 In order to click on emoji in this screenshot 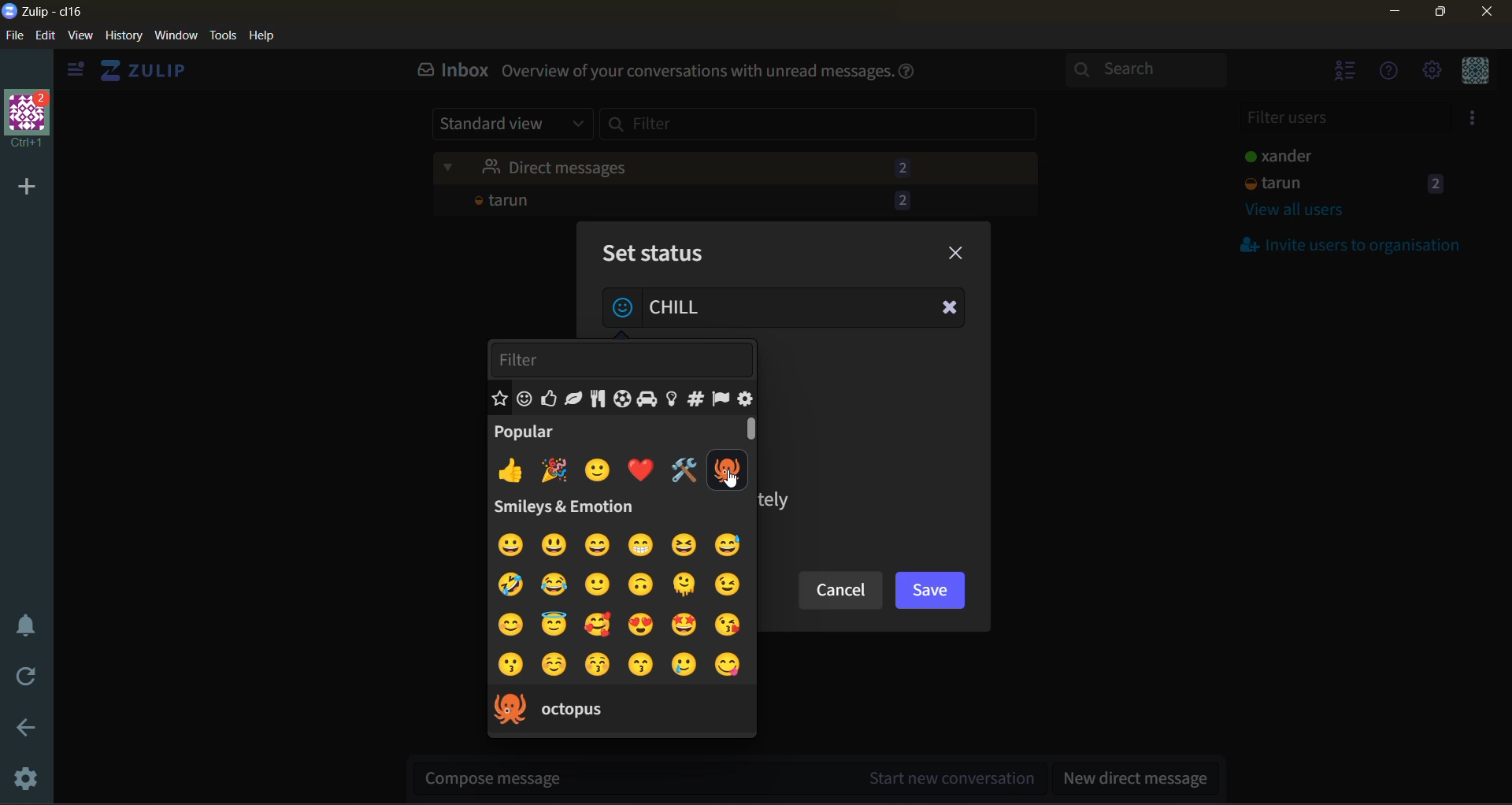, I will do `click(595, 664)`.